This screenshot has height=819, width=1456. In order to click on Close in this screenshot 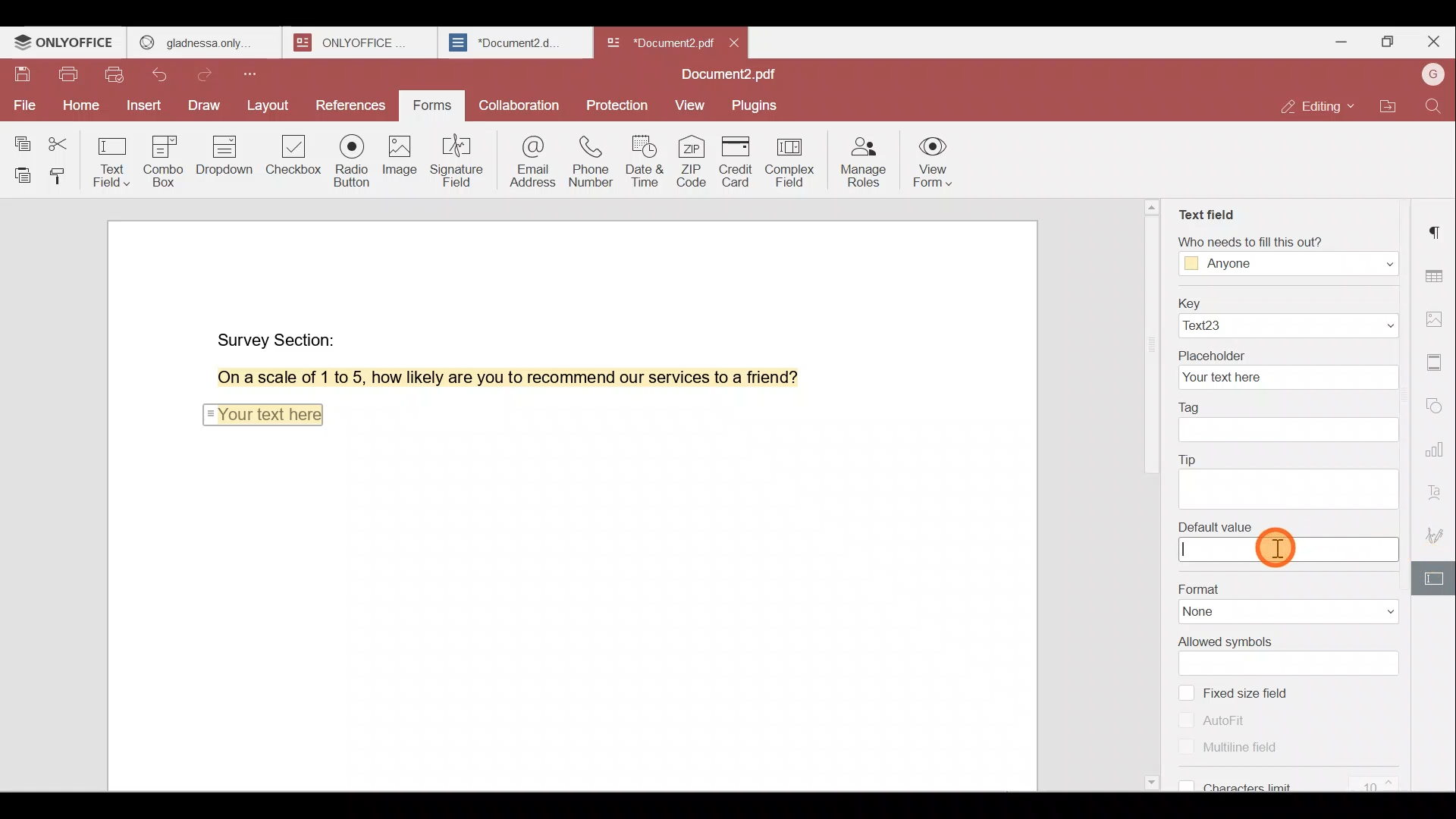, I will do `click(1433, 42)`.